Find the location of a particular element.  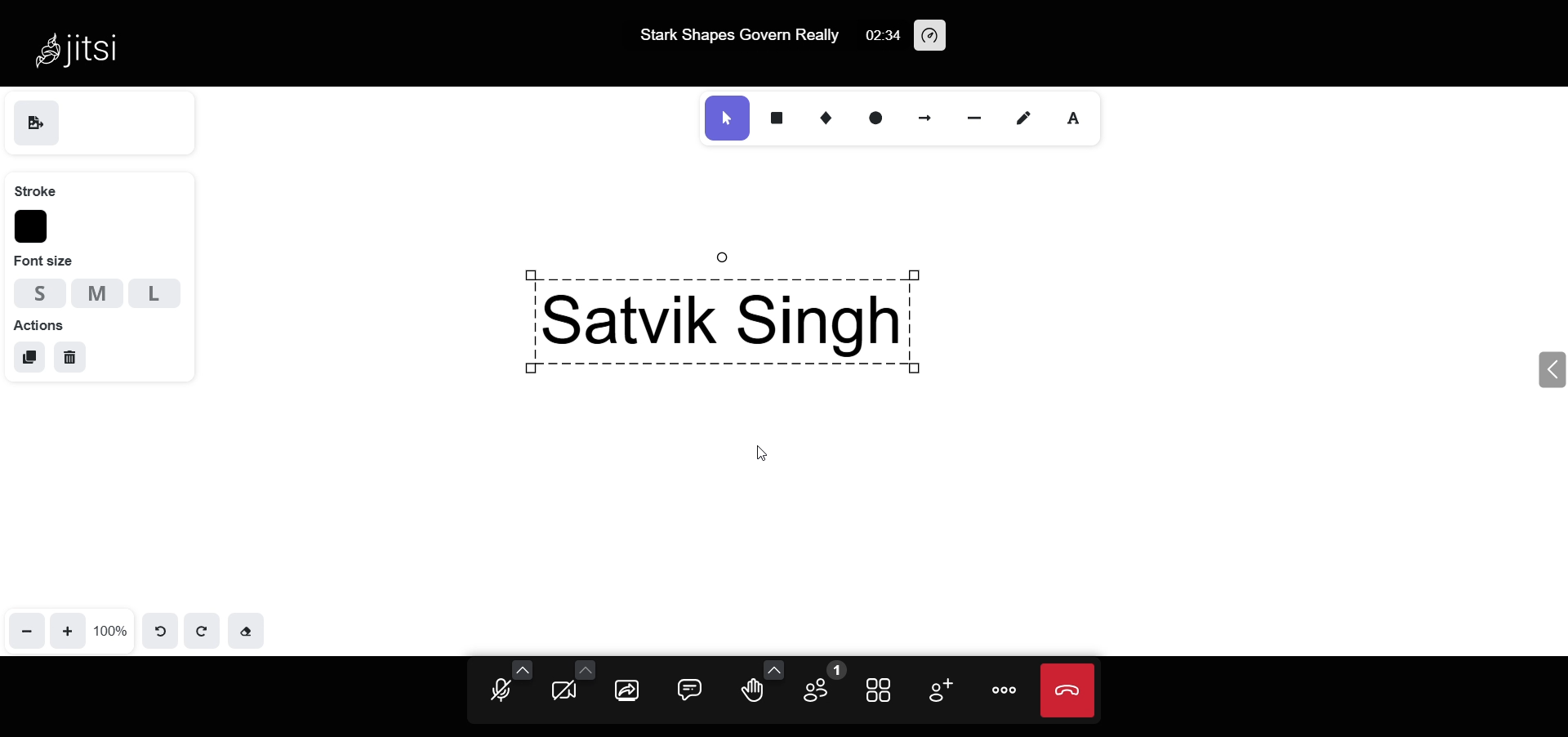

medium is located at coordinates (97, 293).